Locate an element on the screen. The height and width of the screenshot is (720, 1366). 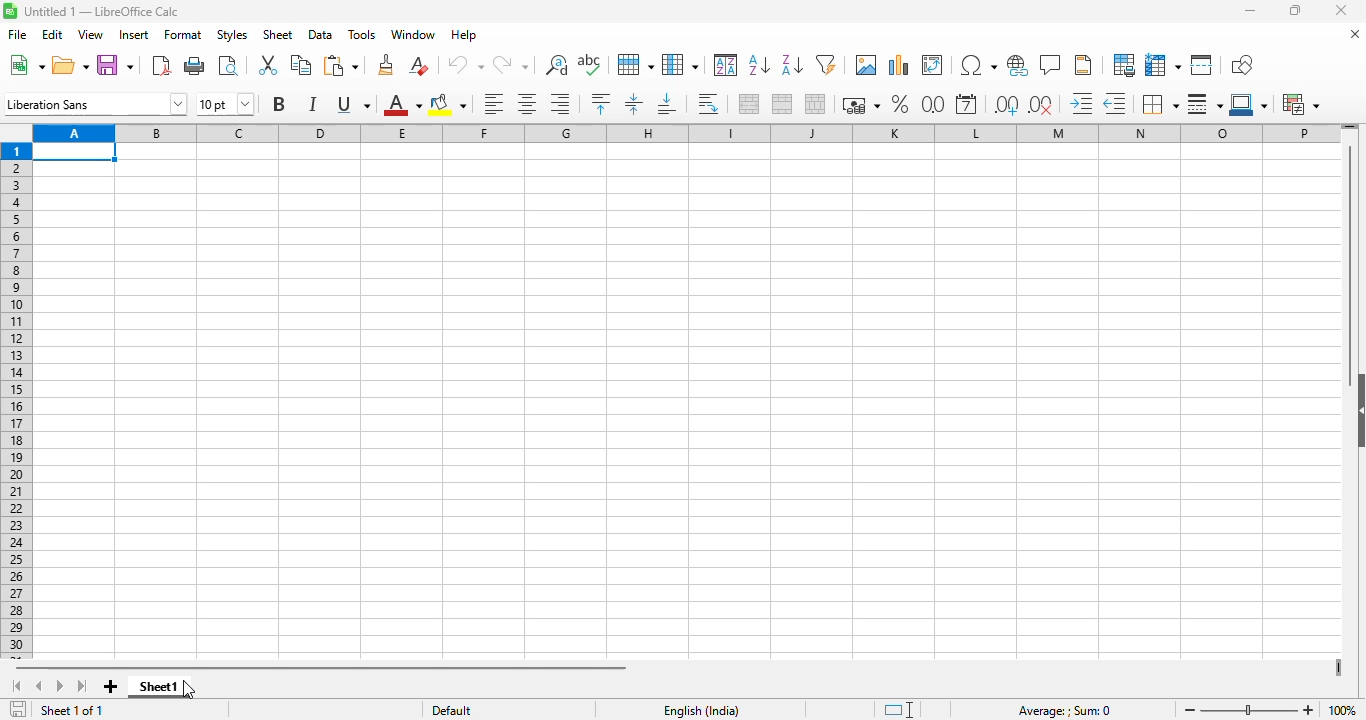
formula is located at coordinates (1065, 711).